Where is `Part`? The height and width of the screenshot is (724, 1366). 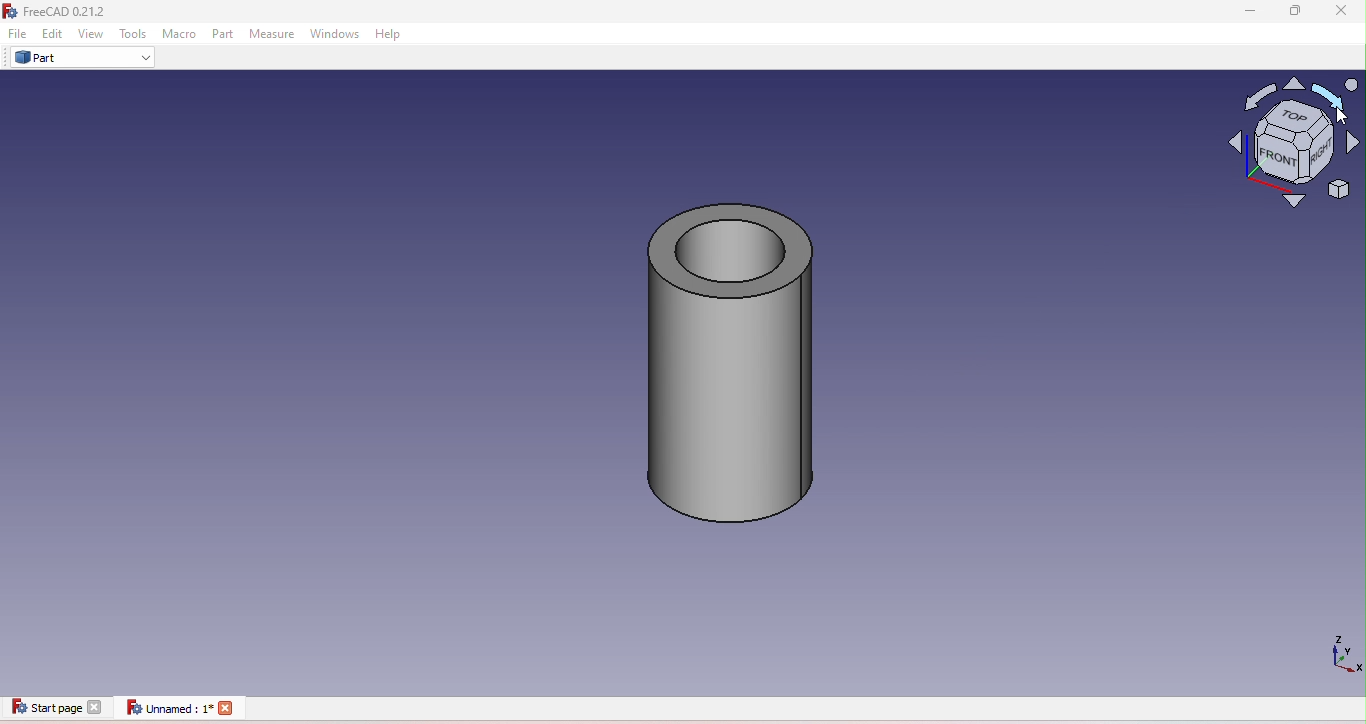
Part is located at coordinates (85, 58).